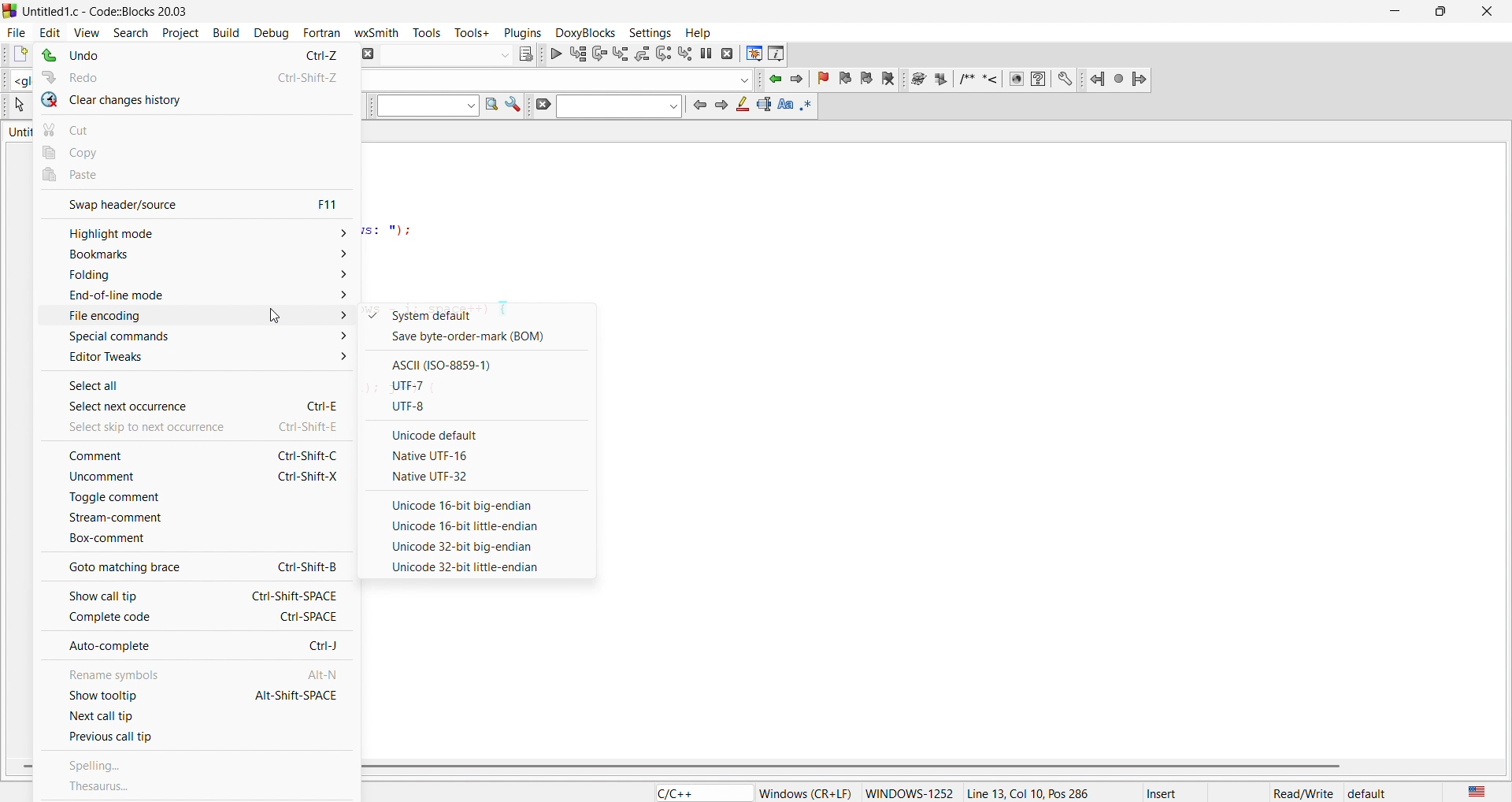  What do you see at coordinates (424, 34) in the screenshot?
I see `tools` at bounding box center [424, 34].